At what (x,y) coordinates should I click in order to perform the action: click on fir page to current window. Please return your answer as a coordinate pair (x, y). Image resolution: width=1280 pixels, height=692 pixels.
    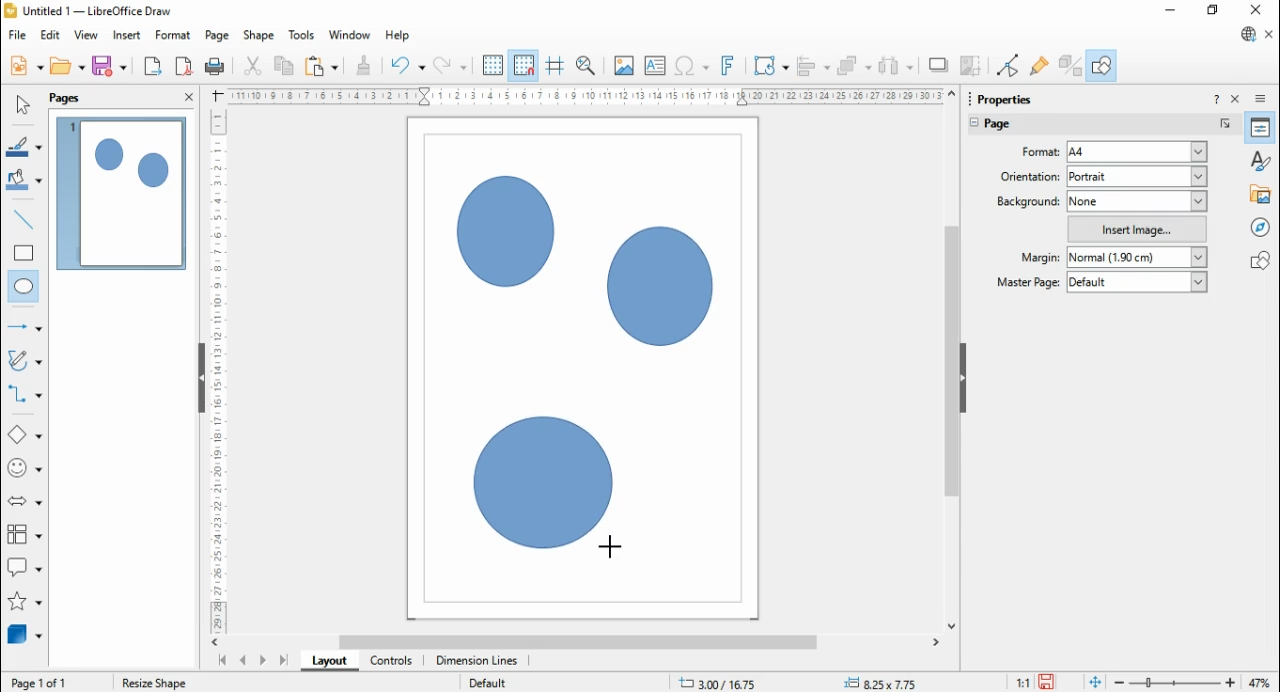
    Looking at the image, I should click on (1095, 682).